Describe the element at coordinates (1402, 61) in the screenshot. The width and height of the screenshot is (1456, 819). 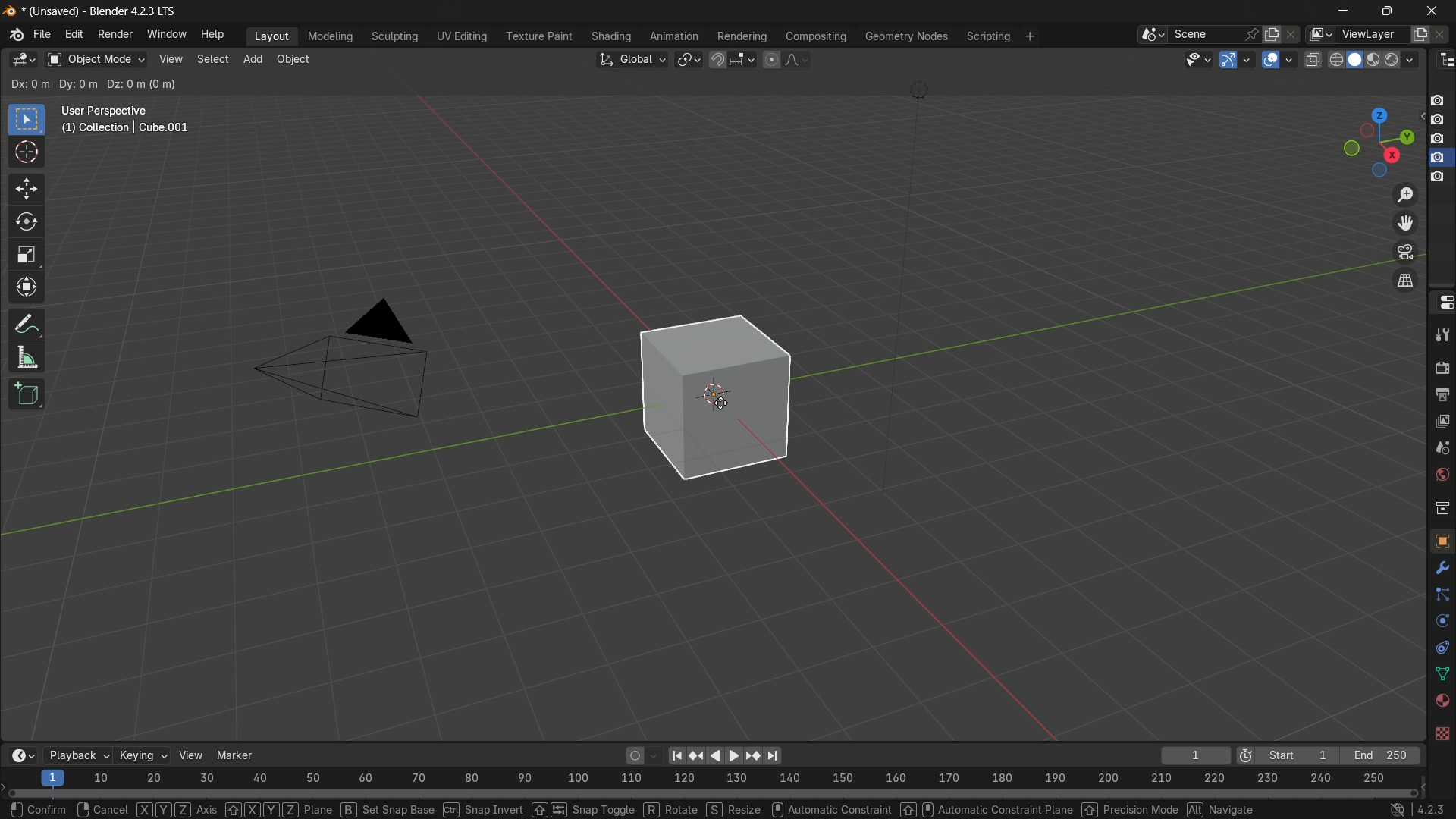
I see `rendered display` at that location.